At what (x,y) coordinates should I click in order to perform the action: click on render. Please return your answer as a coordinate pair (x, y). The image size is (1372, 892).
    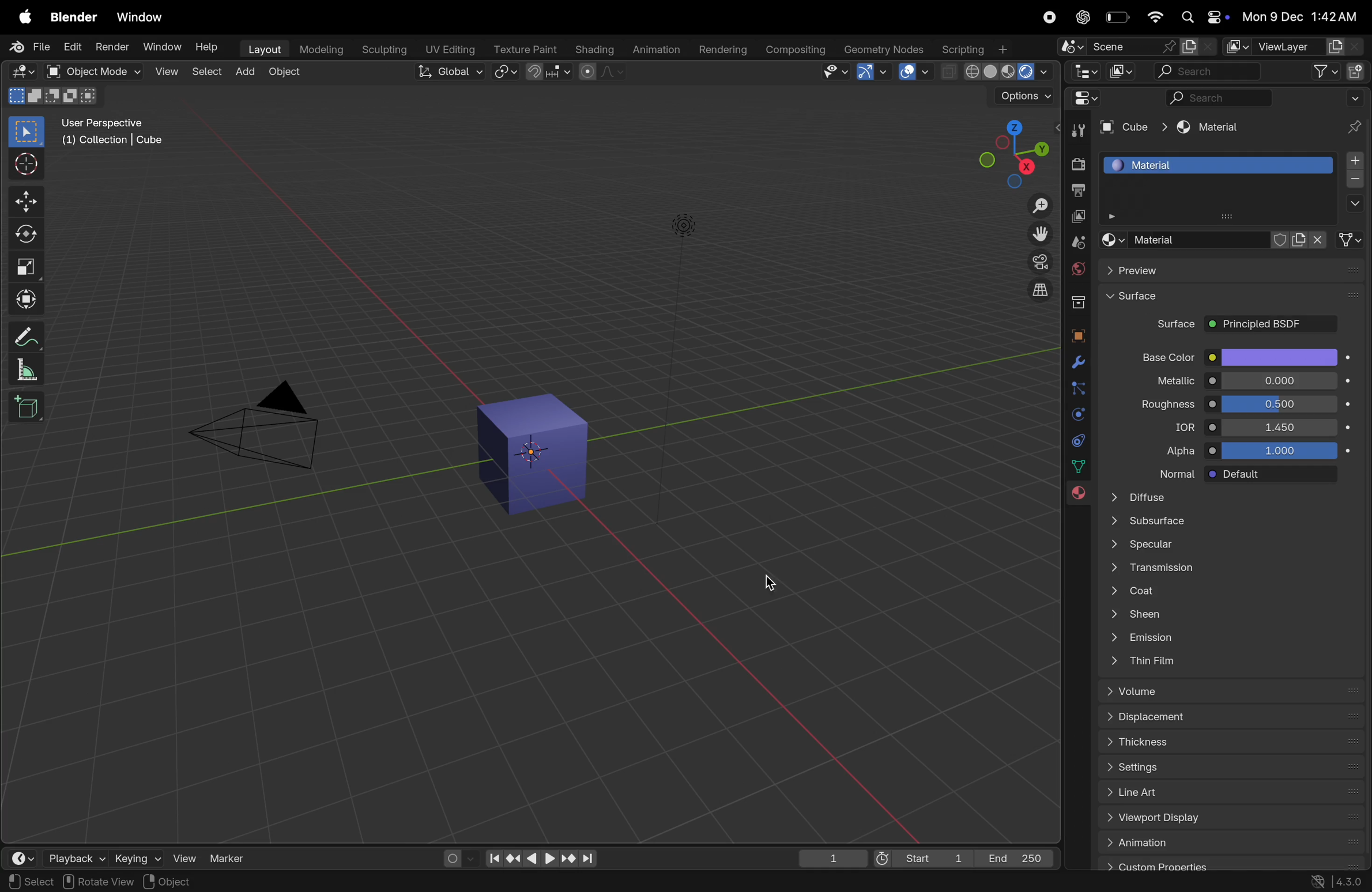
    Looking at the image, I should click on (112, 46).